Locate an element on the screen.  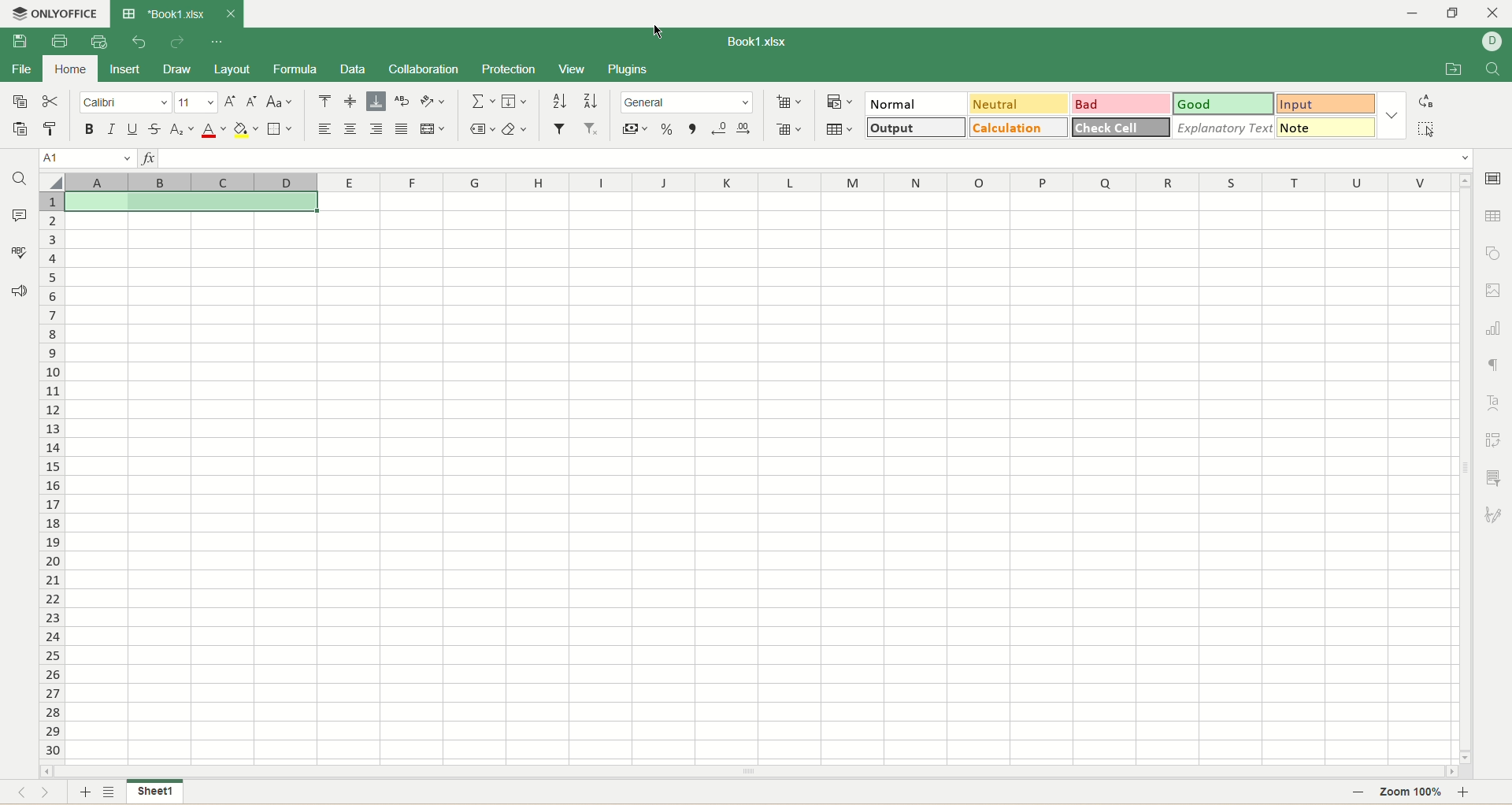
layout is located at coordinates (232, 68).